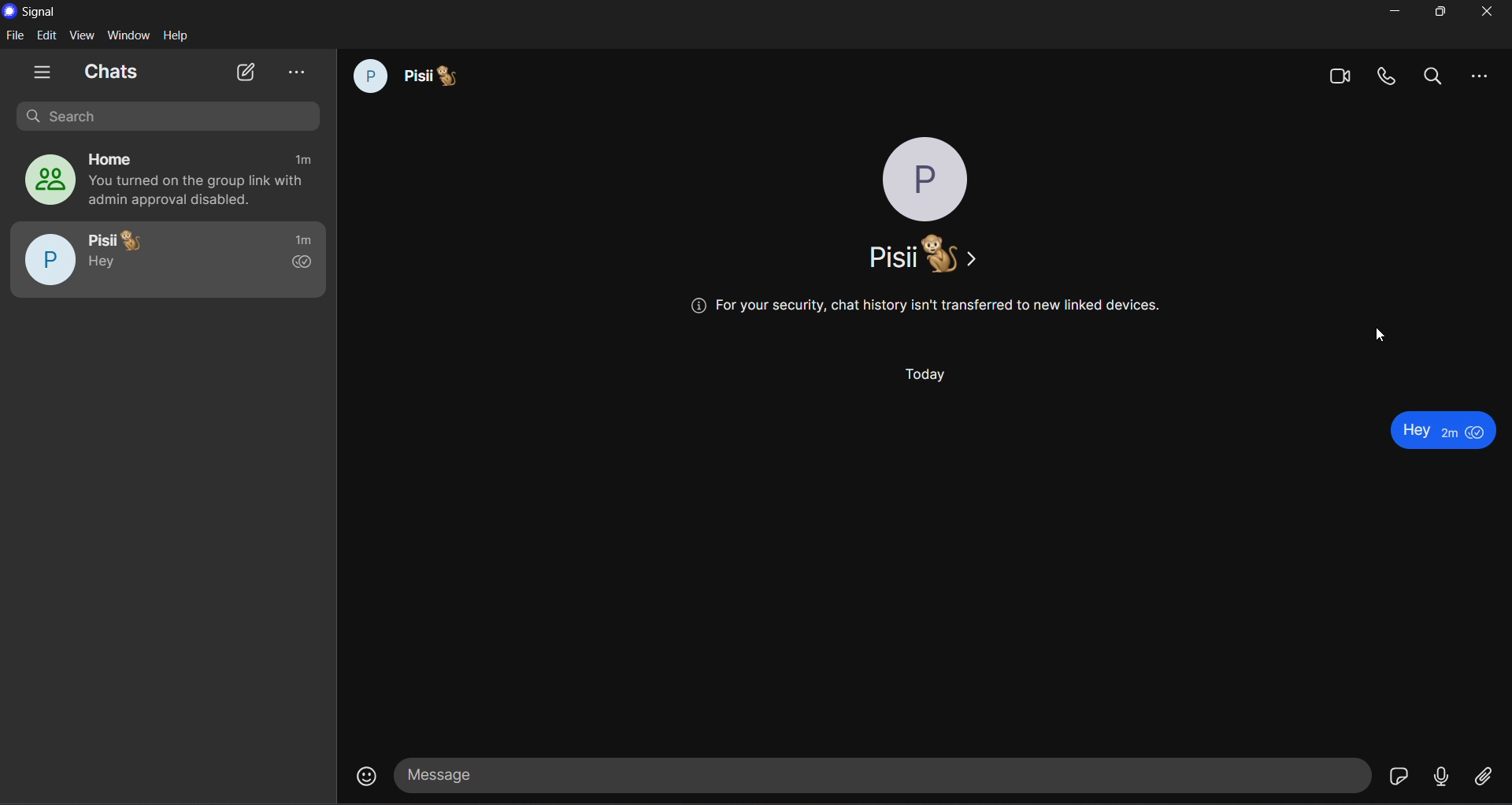  What do you see at coordinates (1392, 12) in the screenshot?
I see `minimize` at bounding box center [1392, 12].